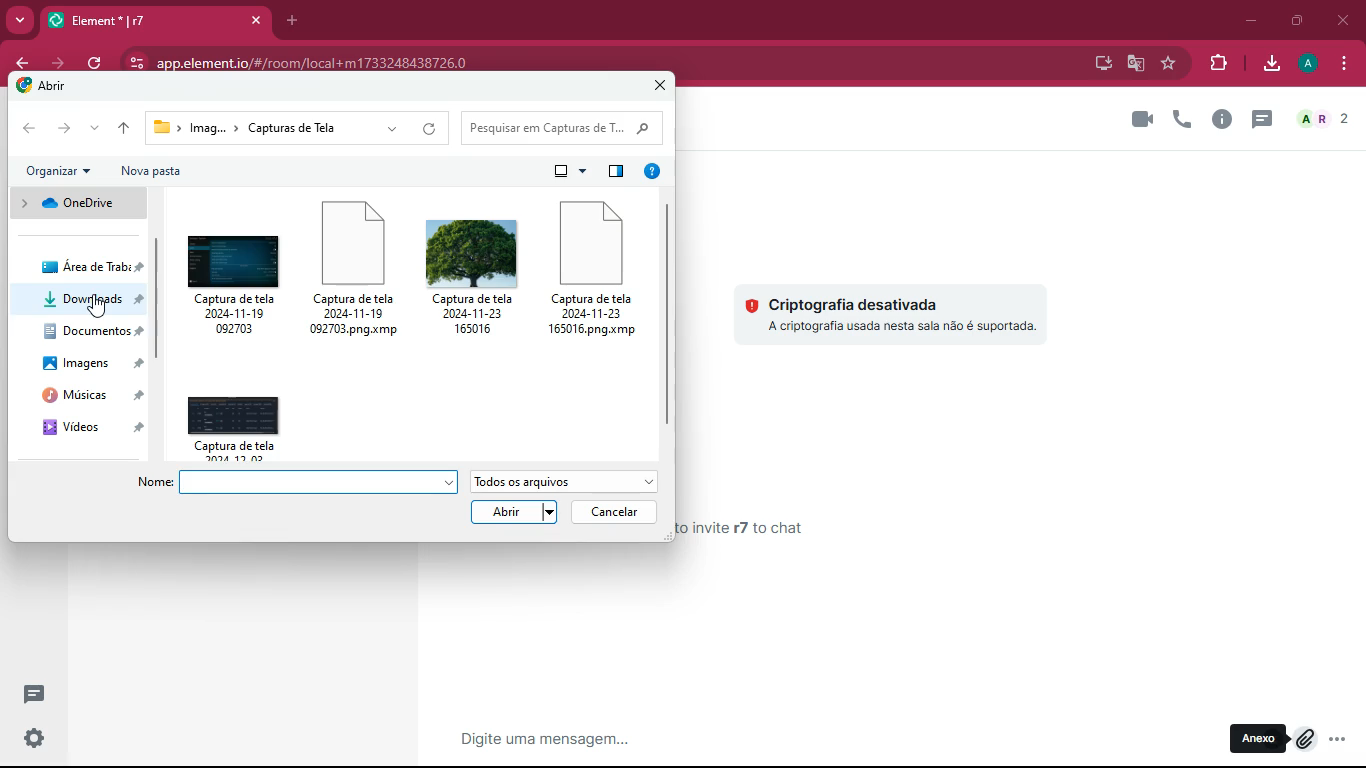  What do you see at coordinates (79, 203) in the screenshot?
I see `onedrive` at bounding box center [79, 203].